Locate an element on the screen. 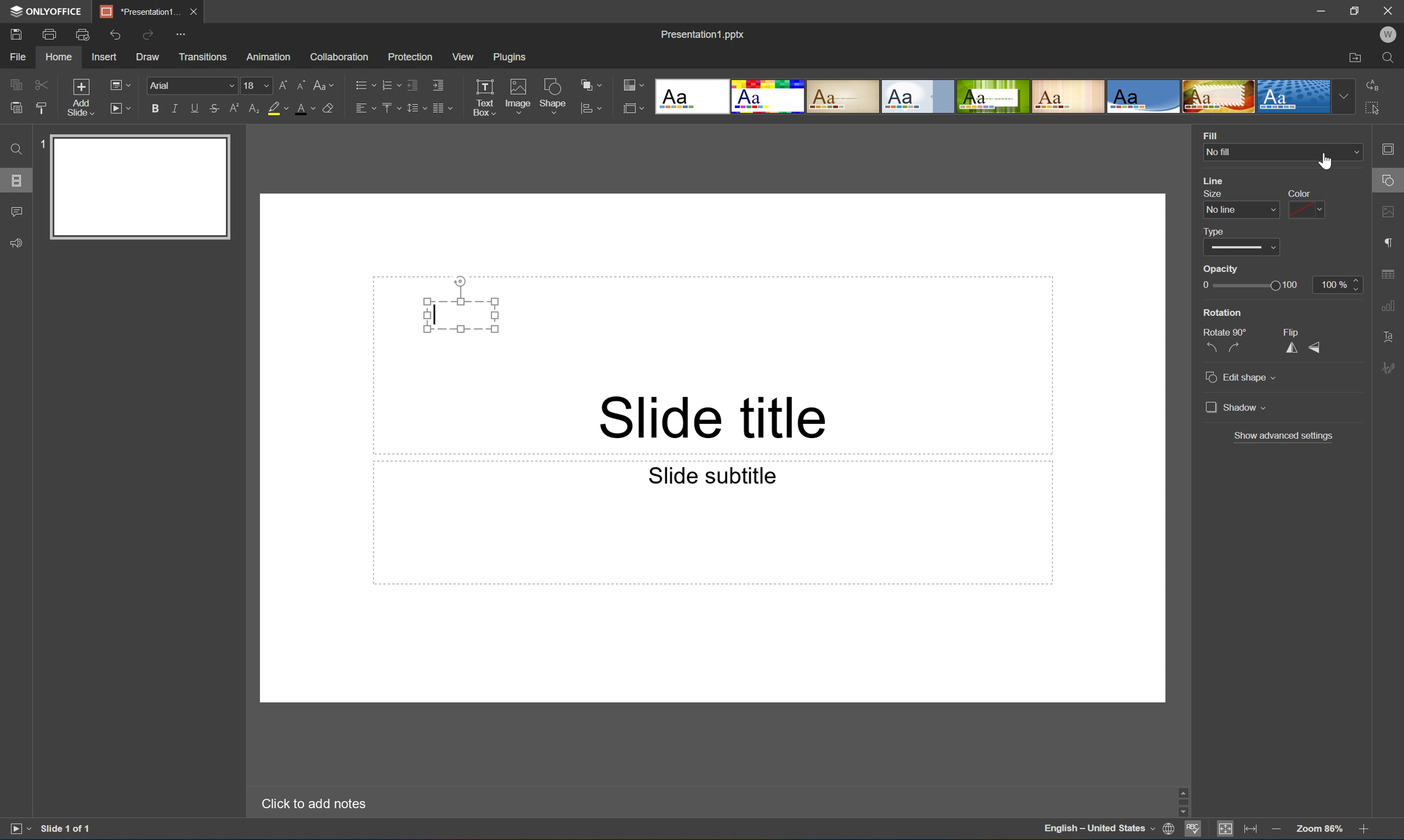 This screenshot has height=840, width=1404. Minimize is located at coordinates (1325, 11).